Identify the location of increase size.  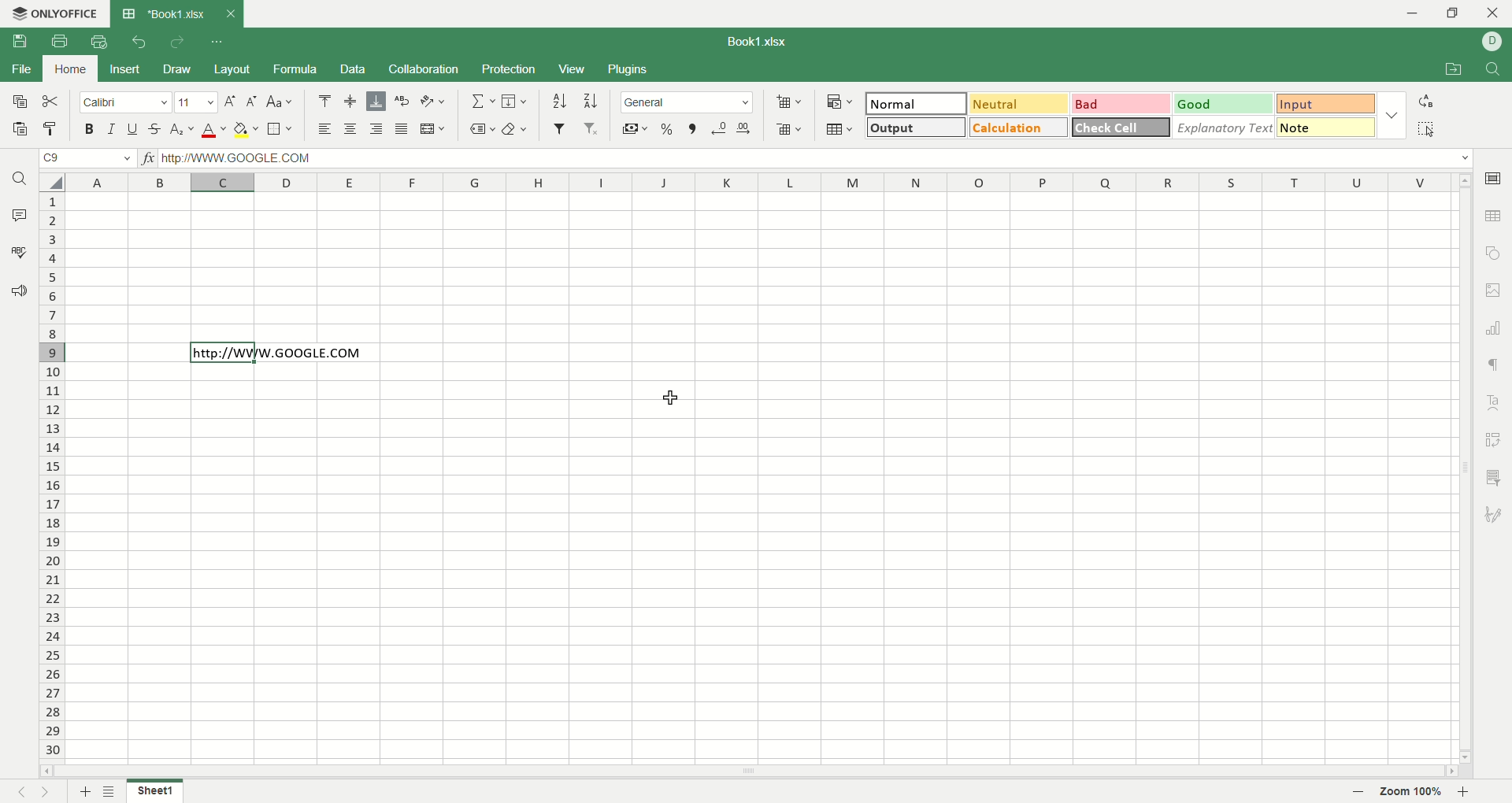
(231, 102).